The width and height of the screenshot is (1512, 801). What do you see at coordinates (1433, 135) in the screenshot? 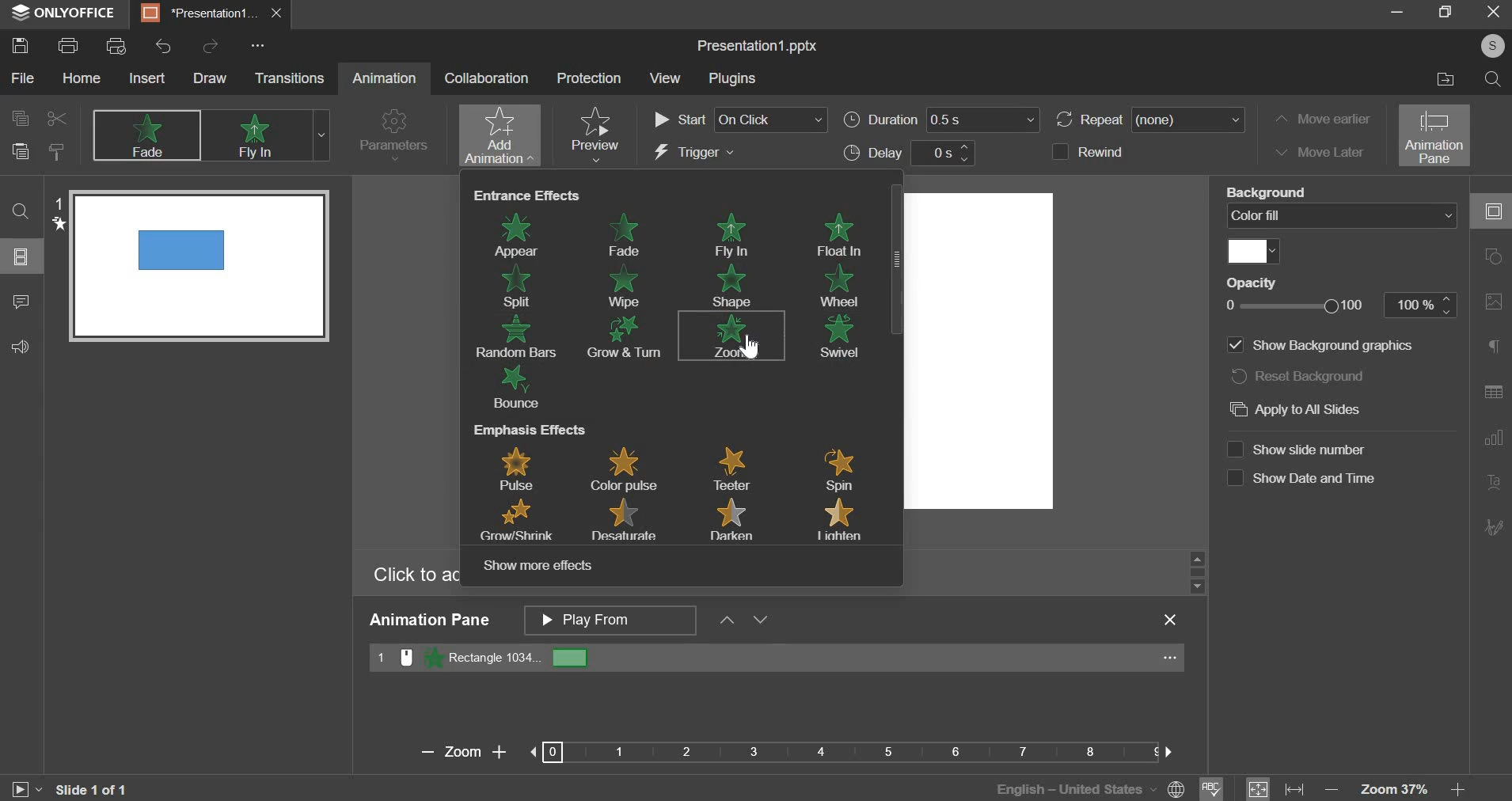
I see `animation pane` at bounding box center [1433, 135].